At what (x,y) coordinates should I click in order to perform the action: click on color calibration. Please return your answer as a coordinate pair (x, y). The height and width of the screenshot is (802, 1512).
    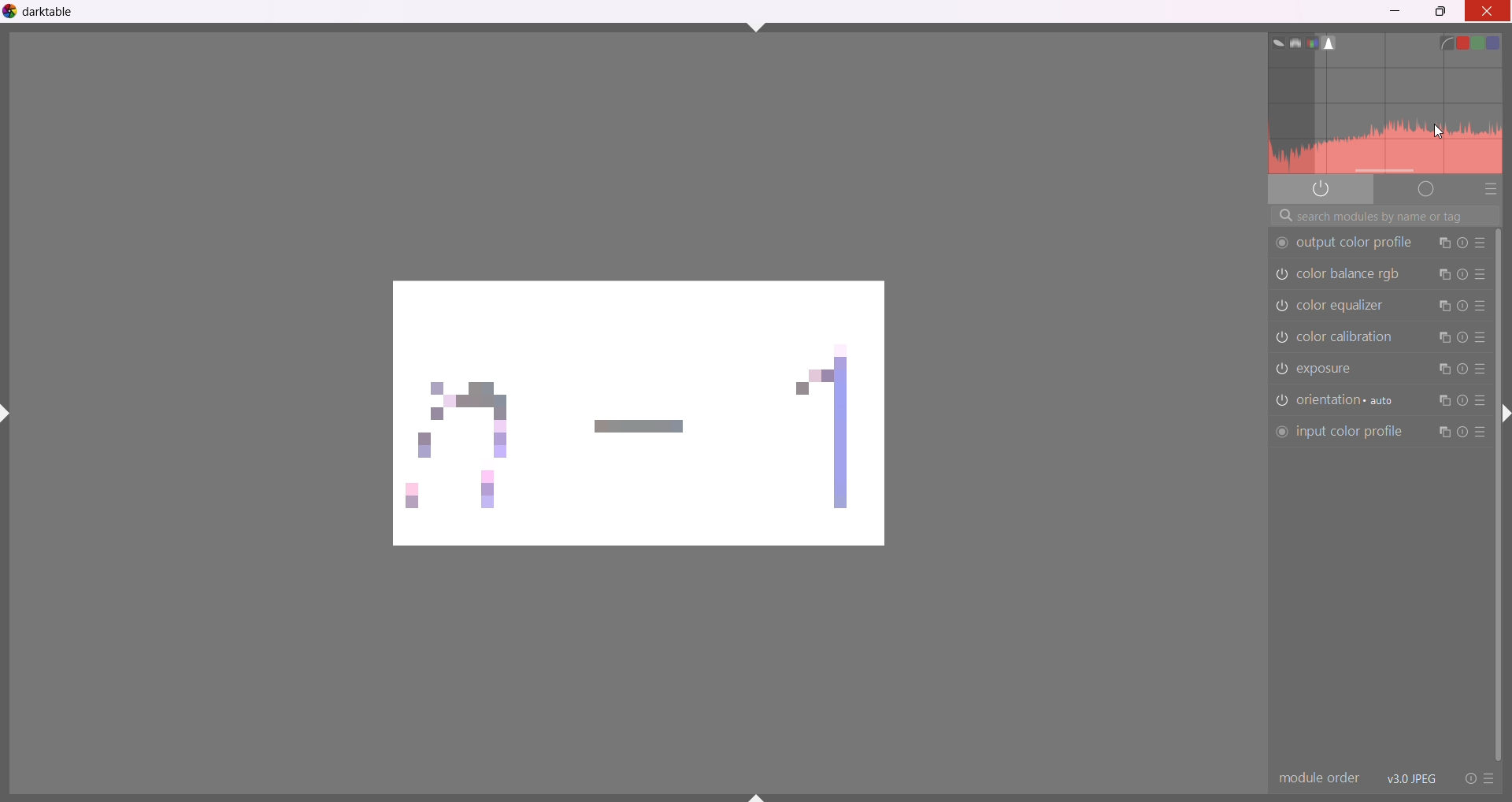
    Looking at the image, I should click on (1353, 336).